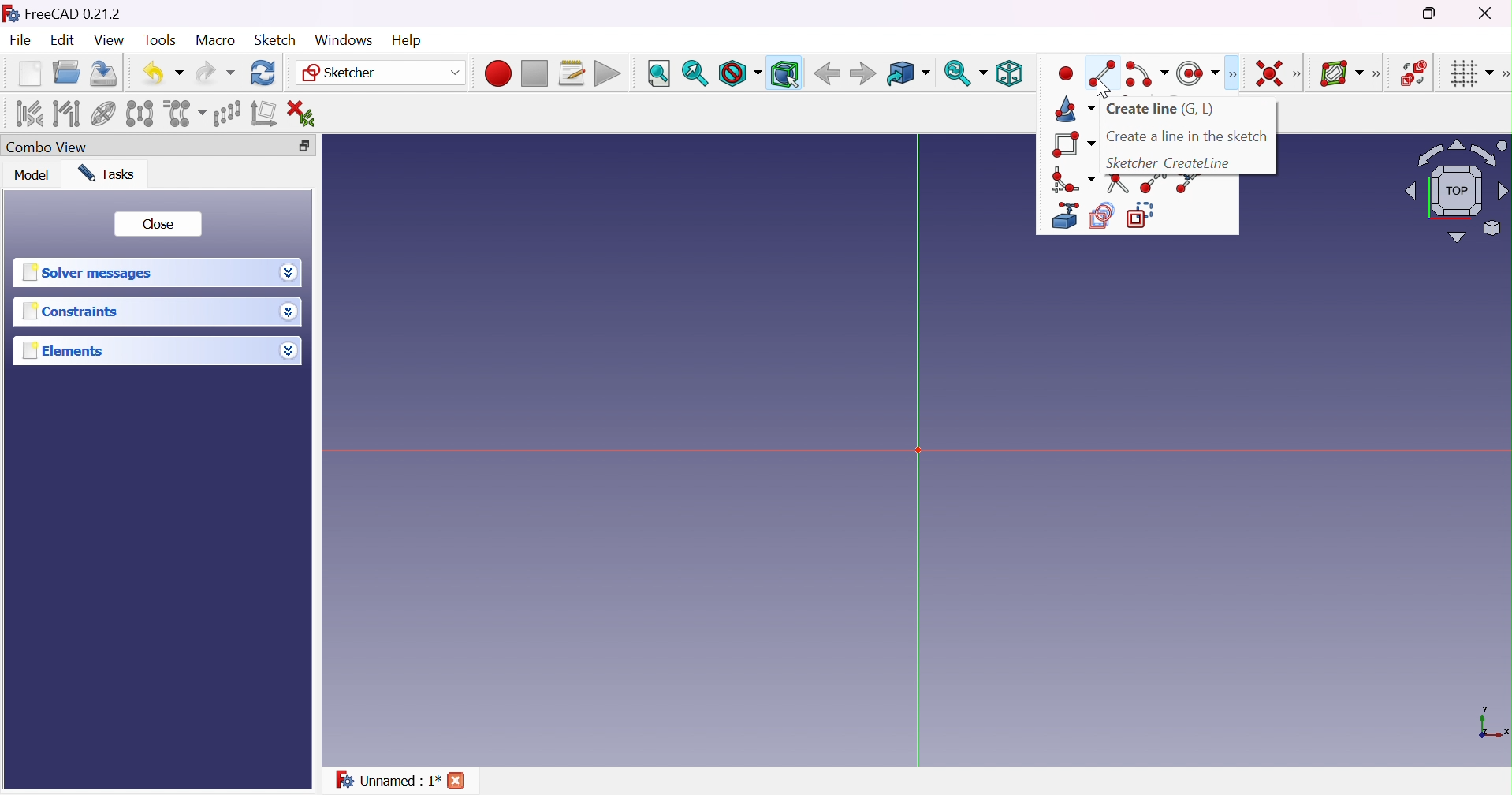 The width and height of the screenshot is (1512, 795). What do you see at coordinates (1151, 185) in the screenshot?
I see `Extend edge` at bounding box center [1151, 185].